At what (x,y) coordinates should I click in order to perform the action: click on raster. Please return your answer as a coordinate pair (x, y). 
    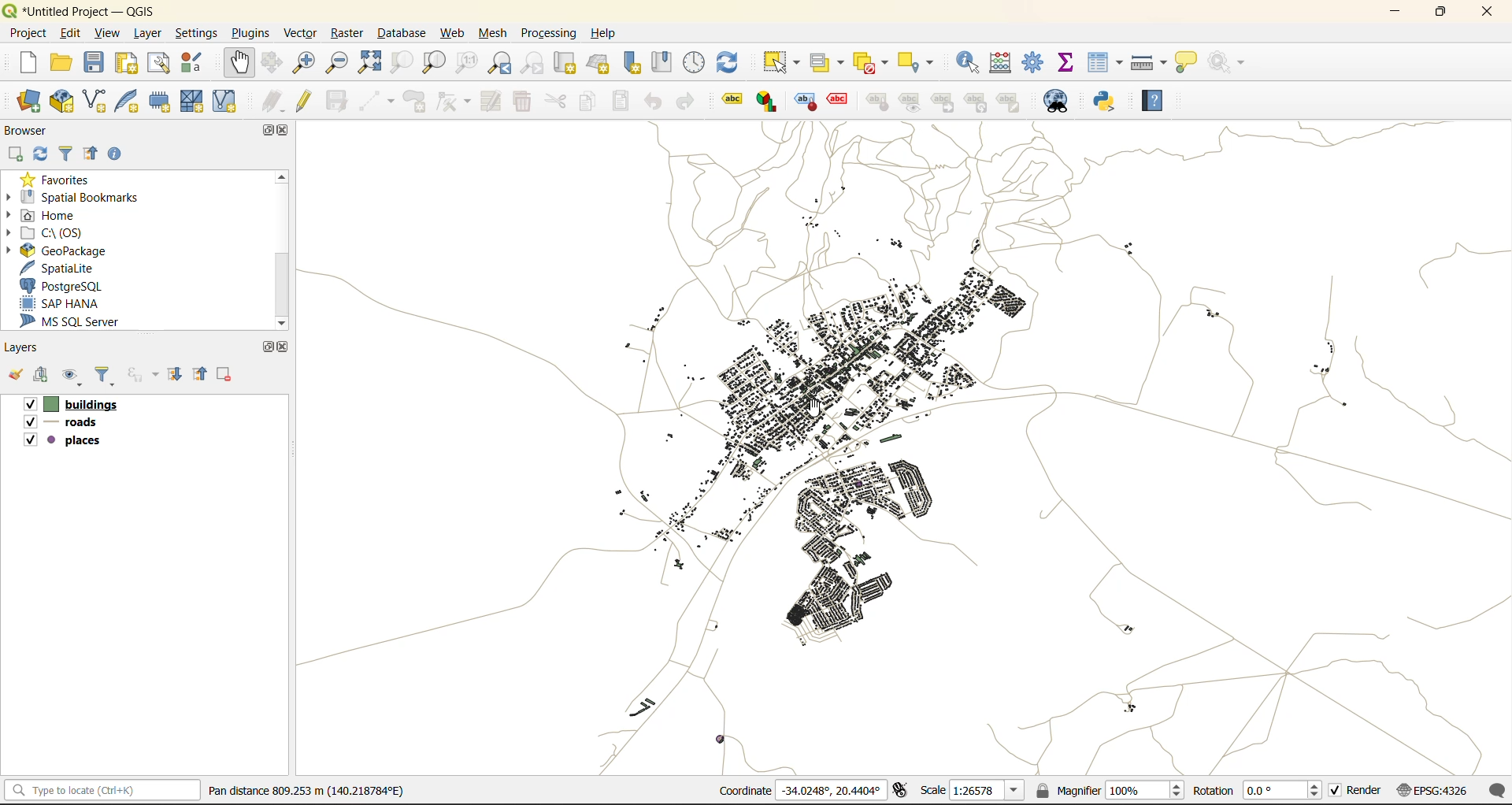
    Looking at the image, I should click on (347, 33).